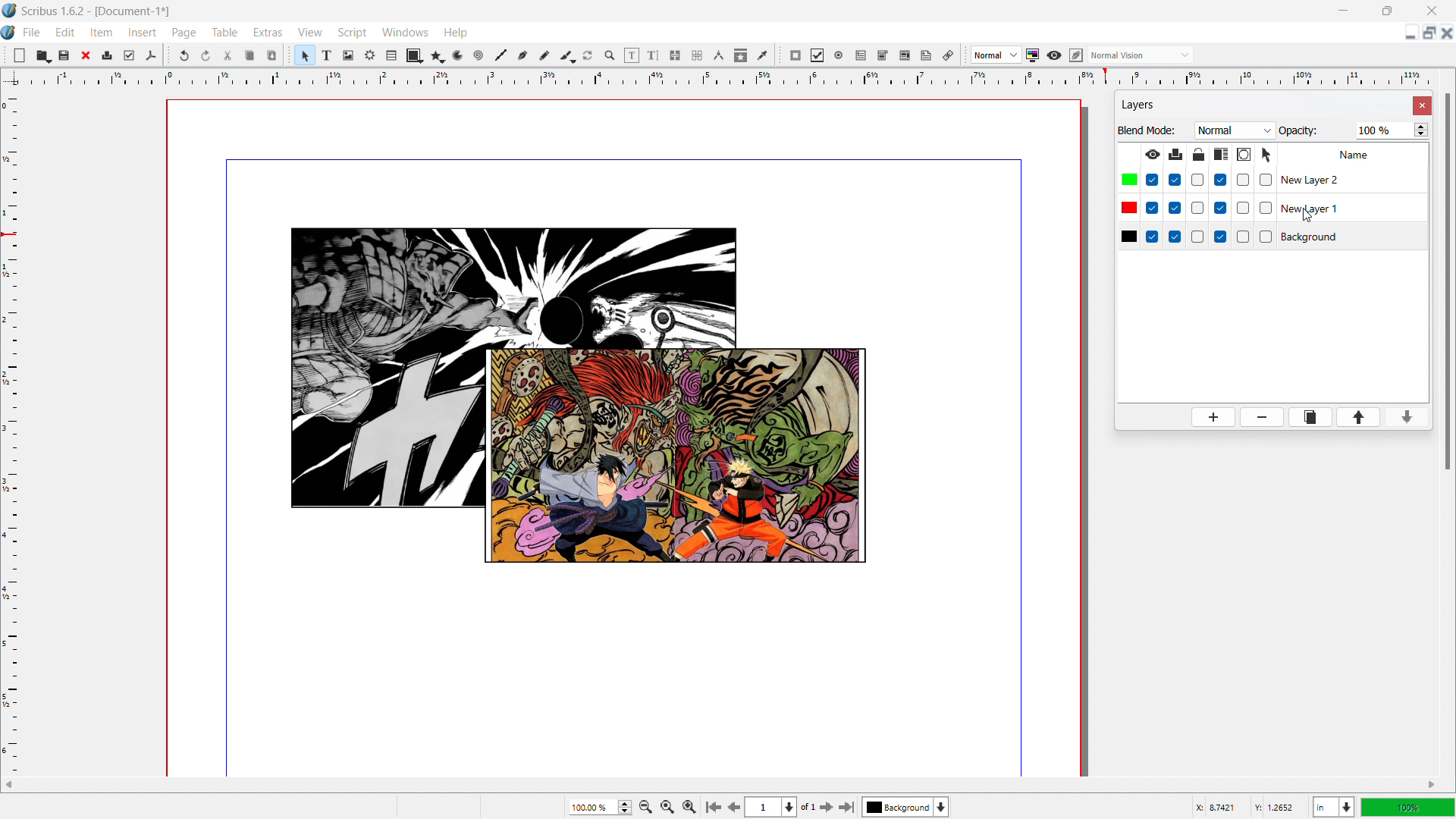  What do you see at coordinates (582, 398) in the screenshot?
I see `objects` at bounding box center [582, 398].